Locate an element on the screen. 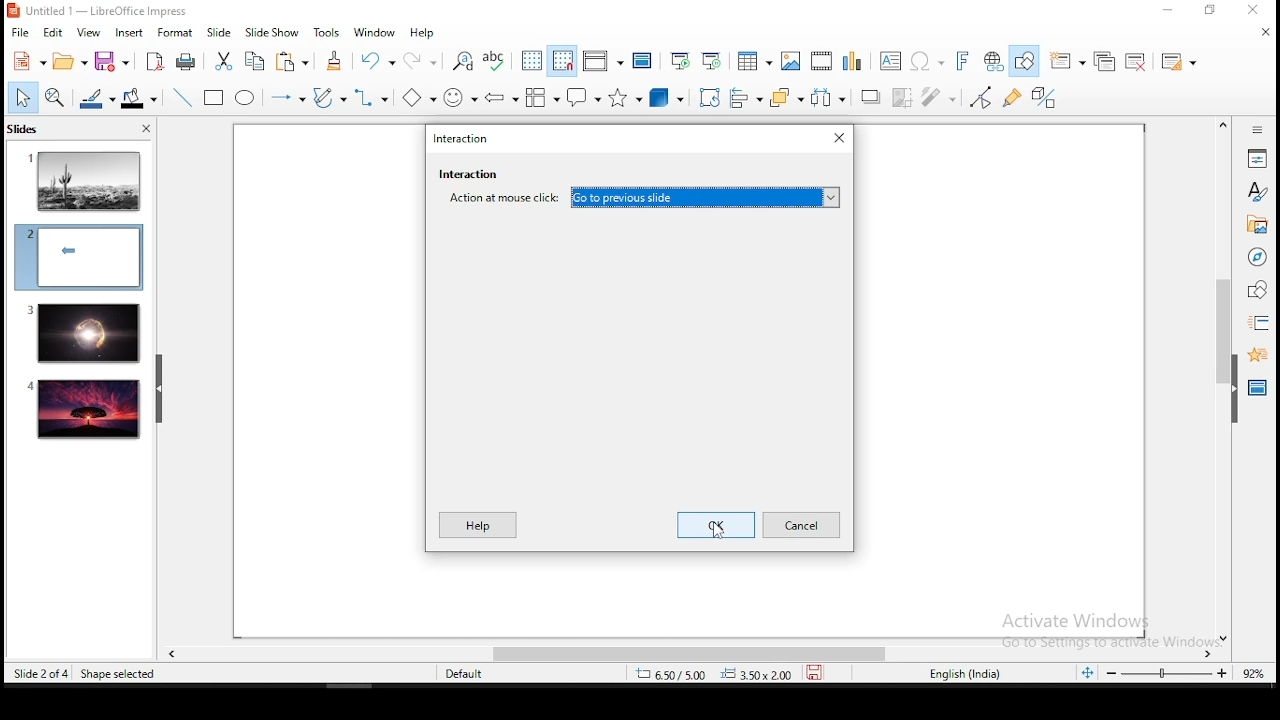 The height and width of the screenshot is (720, 1280). view is located at coordinates (89, 32).